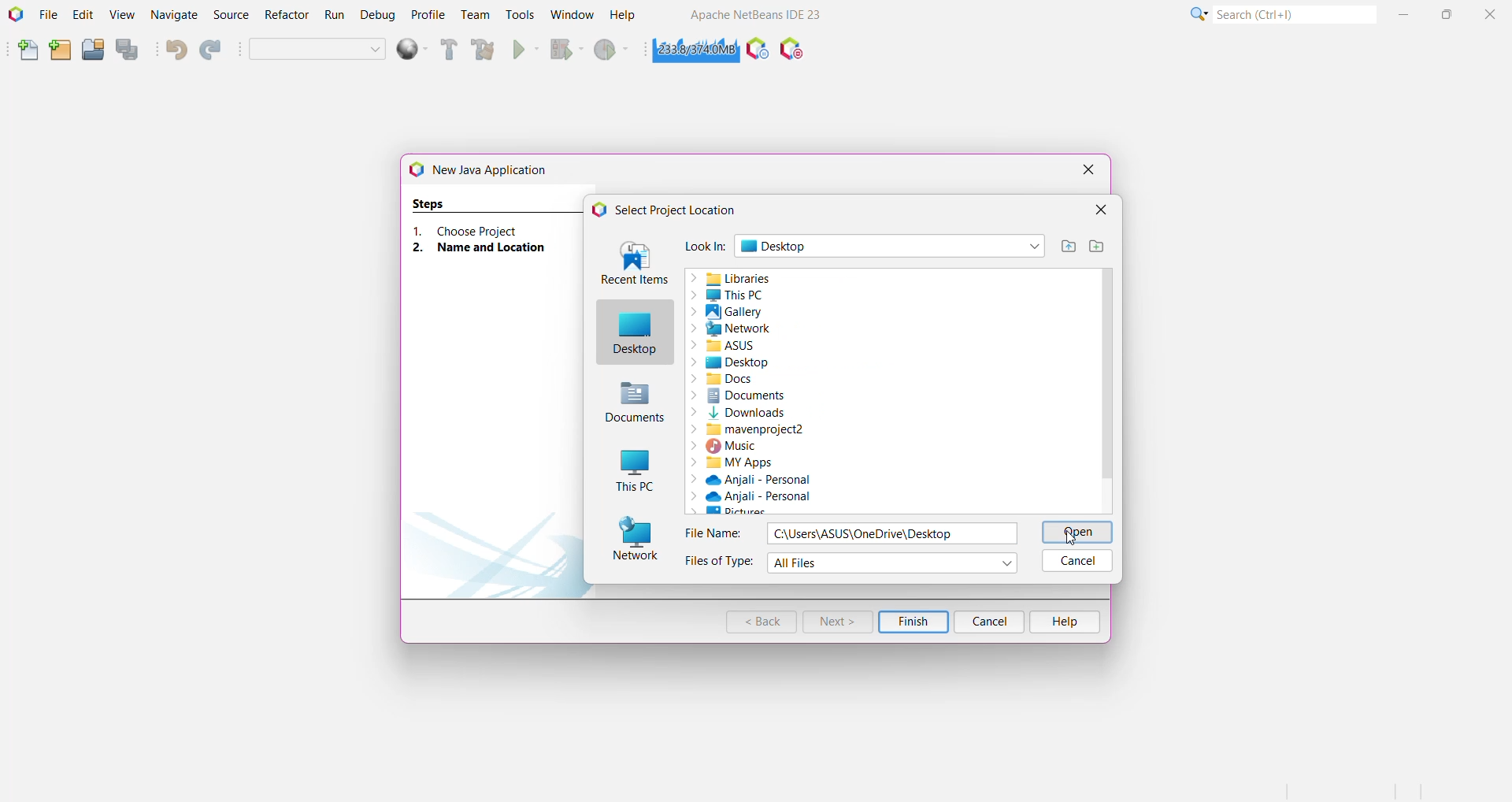 This screenshot has height=802, width=1512. Describe the element at coordinates (773, 343) in the screenshot. I see `Asus` at that location.